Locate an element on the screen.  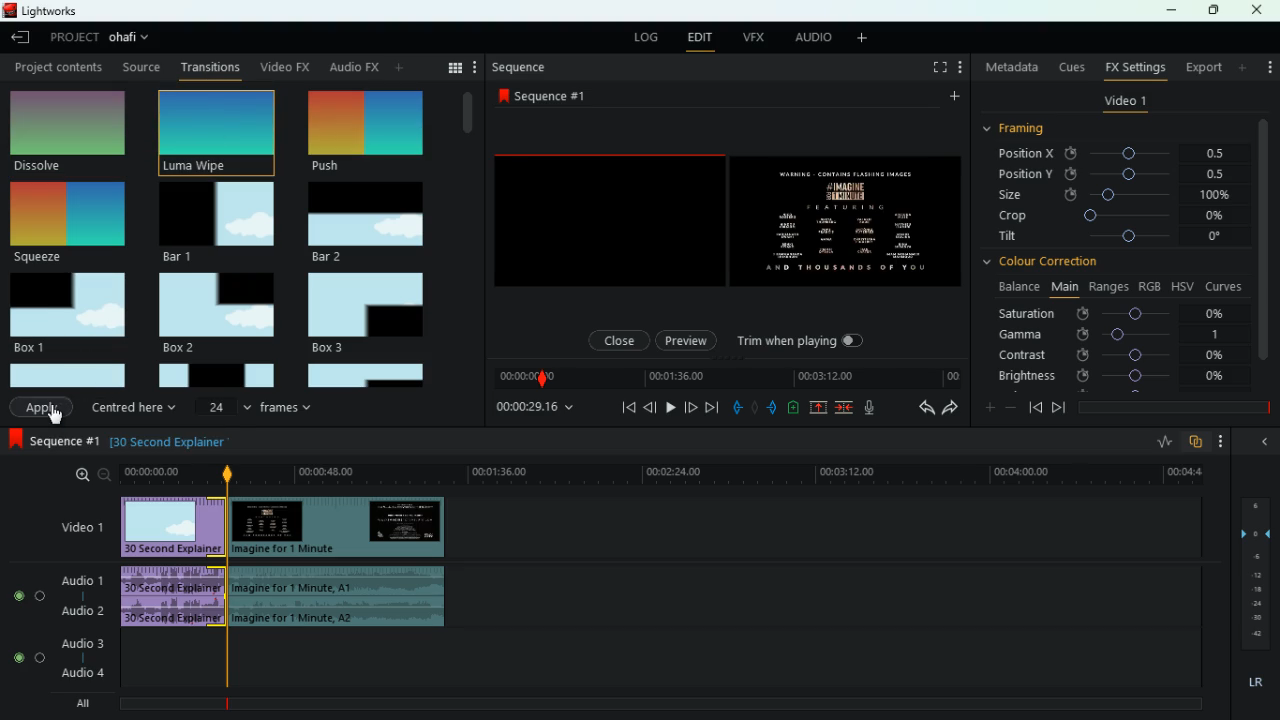
up is located at coordinates (819, 409).